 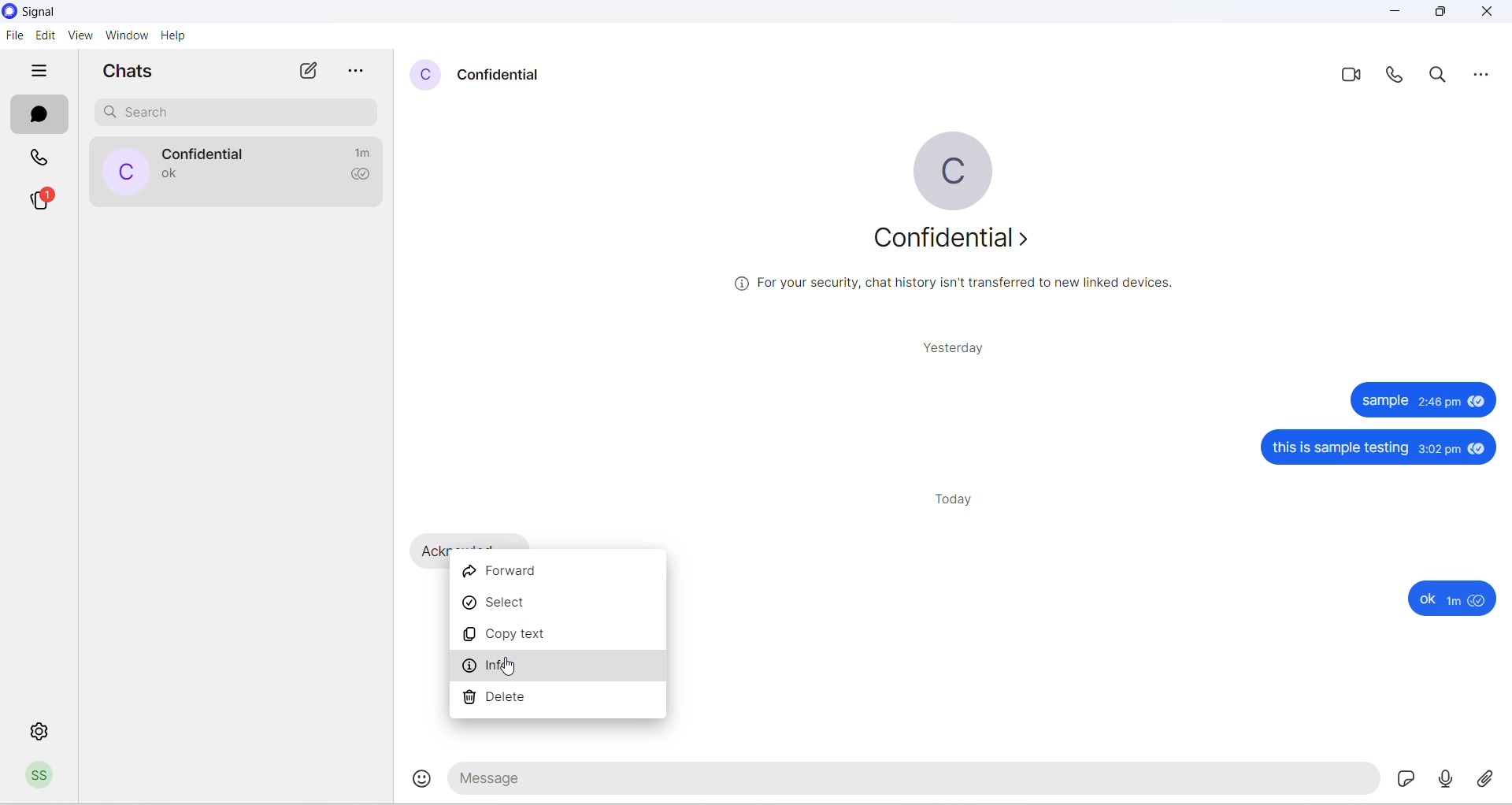 What do you see at coordinates (1490, 75) in the screenshot?
I see `more options` at bounding box center [1490, 75].